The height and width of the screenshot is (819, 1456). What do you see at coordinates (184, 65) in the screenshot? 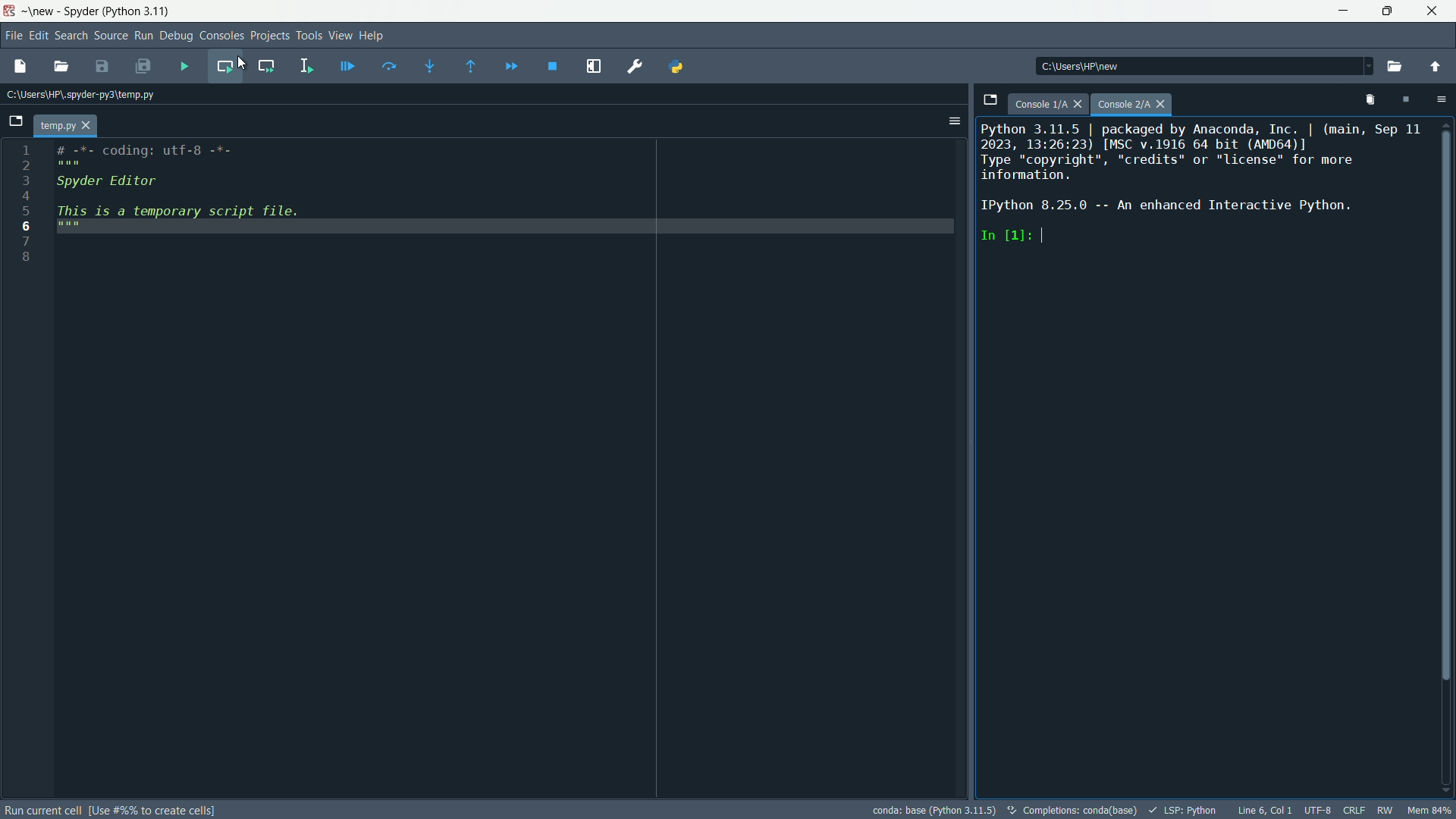
I see `run files` at bounding box center [184, 65].